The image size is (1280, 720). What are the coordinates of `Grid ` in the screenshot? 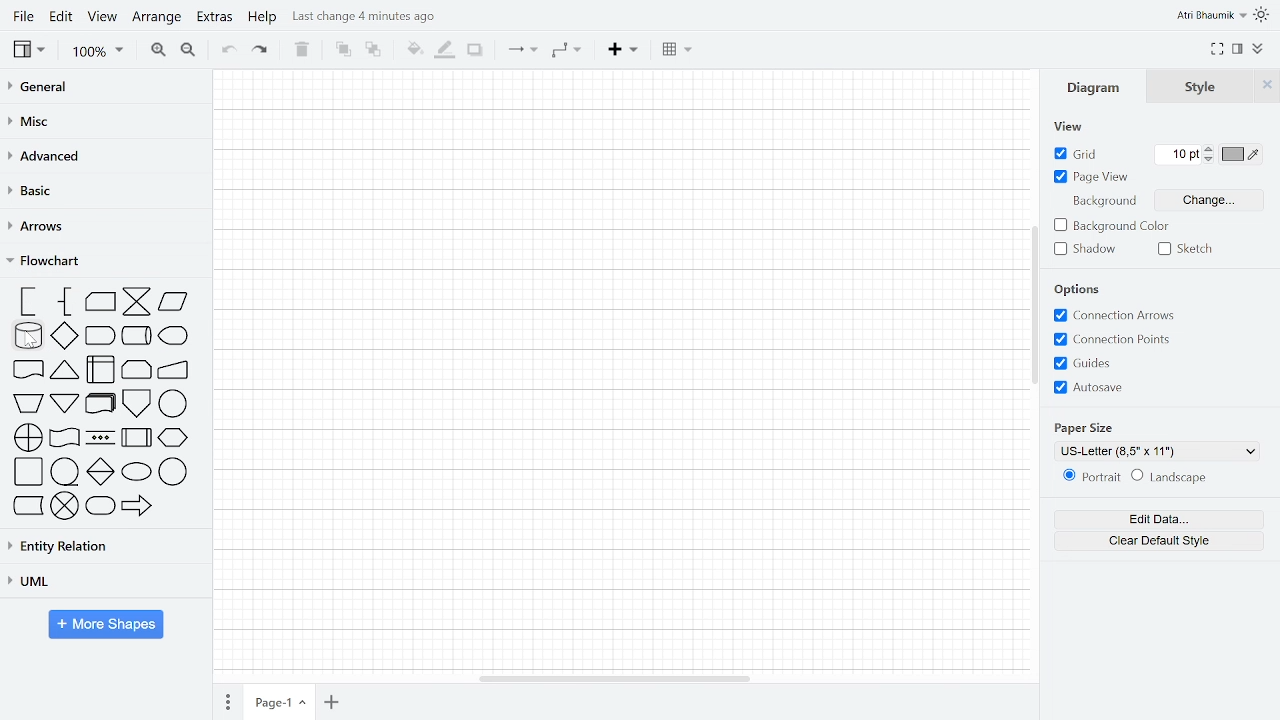 It's located at (1079, 153).